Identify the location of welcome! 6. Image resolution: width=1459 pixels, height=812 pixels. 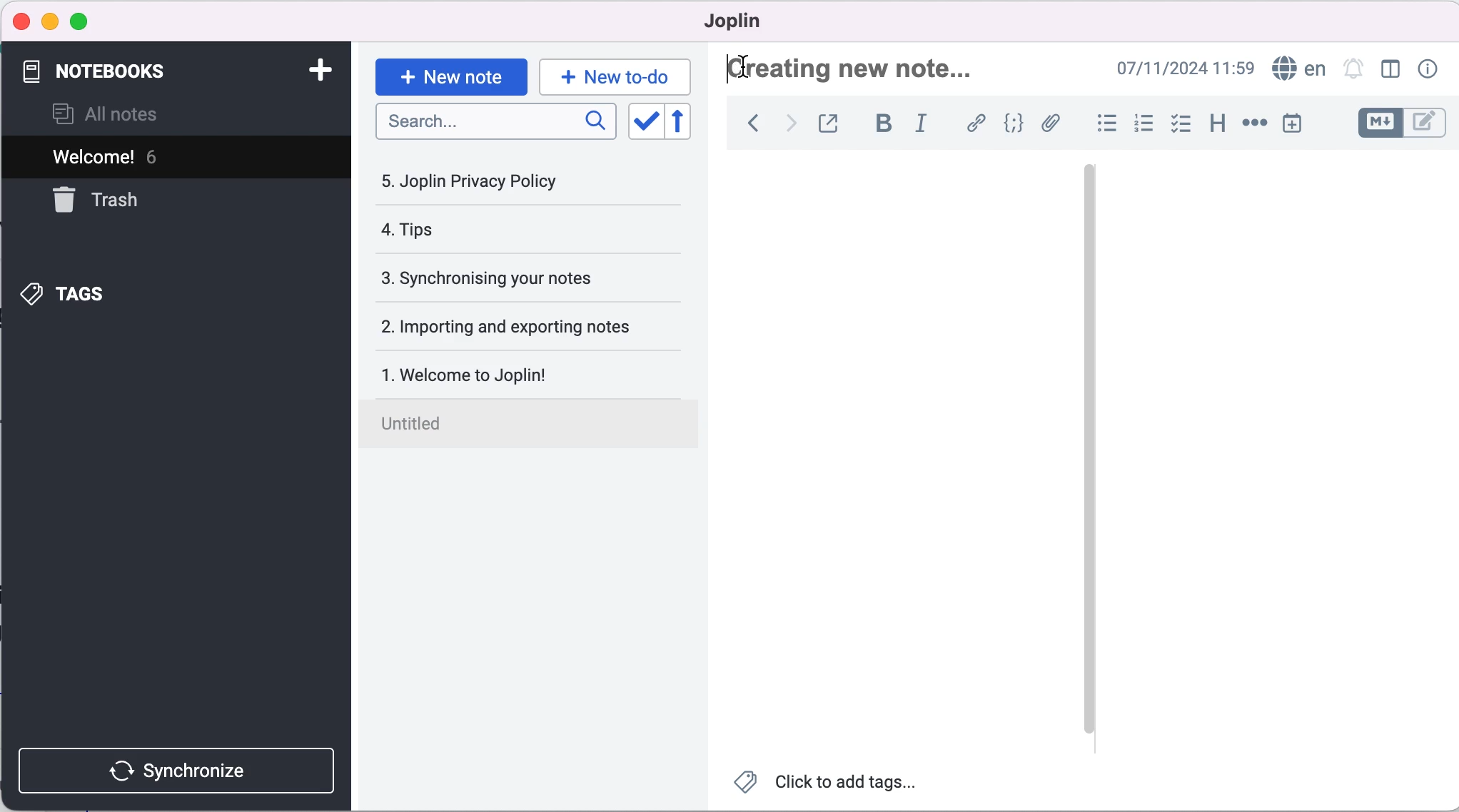
(171, 158).